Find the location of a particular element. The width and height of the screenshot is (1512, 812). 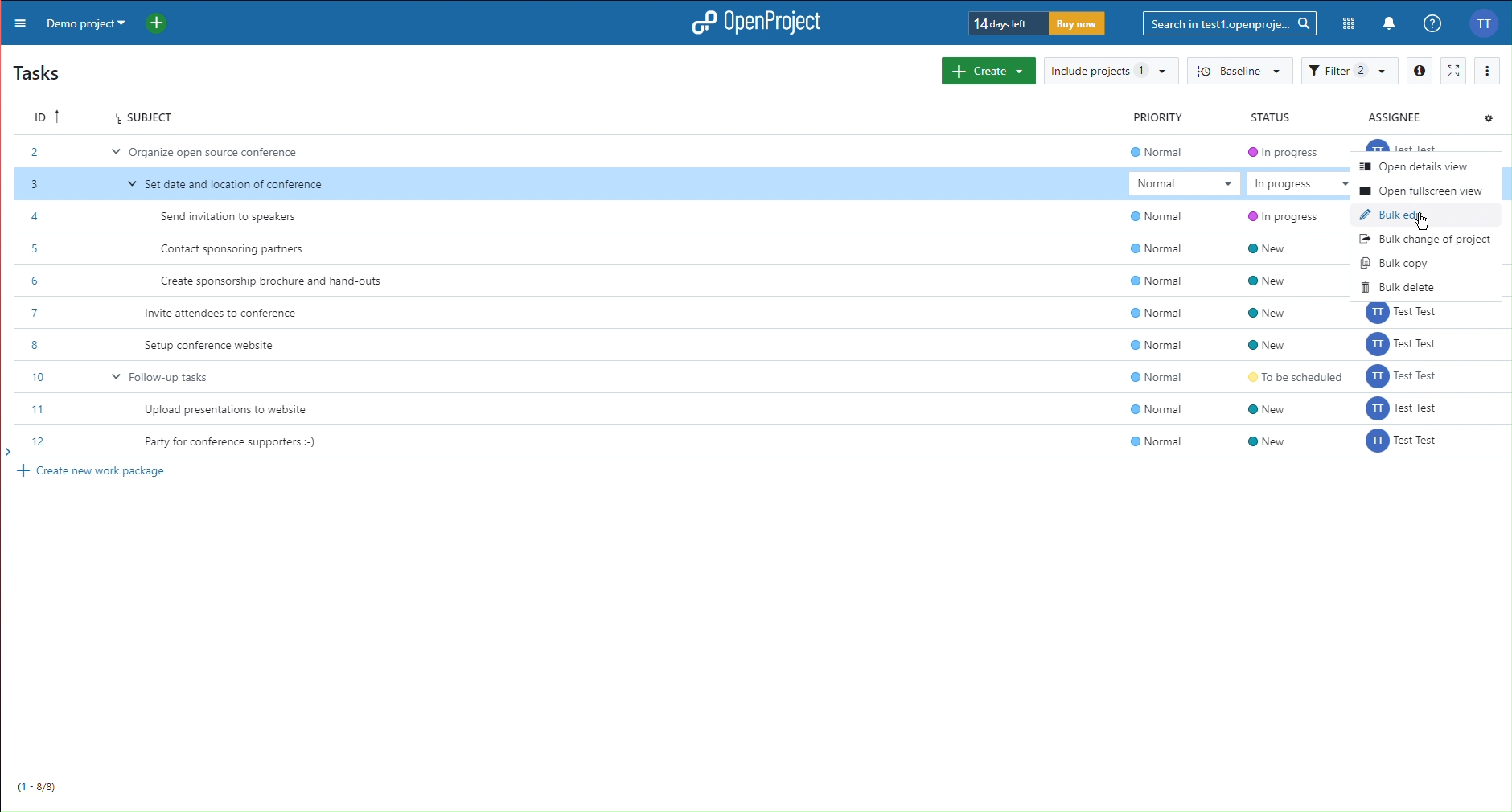

Follow-up tasks is located at coordinates (165, 375).